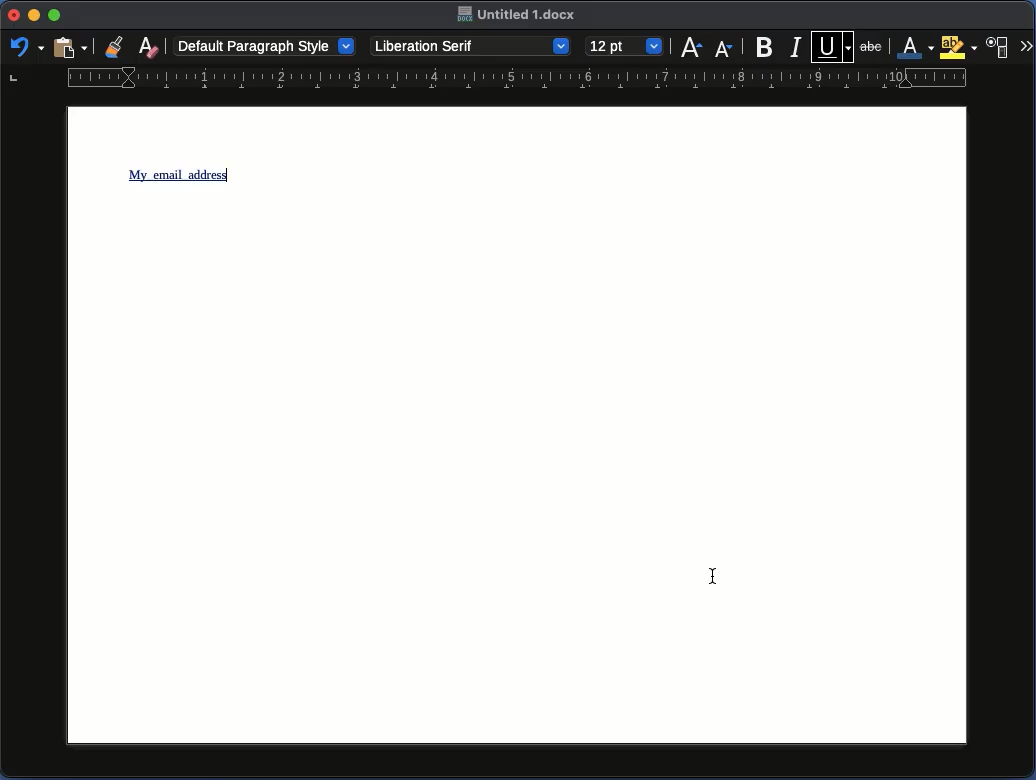  Describe the element at coordinates (796, 46) in the screenshot. I see `Italics` at that location.